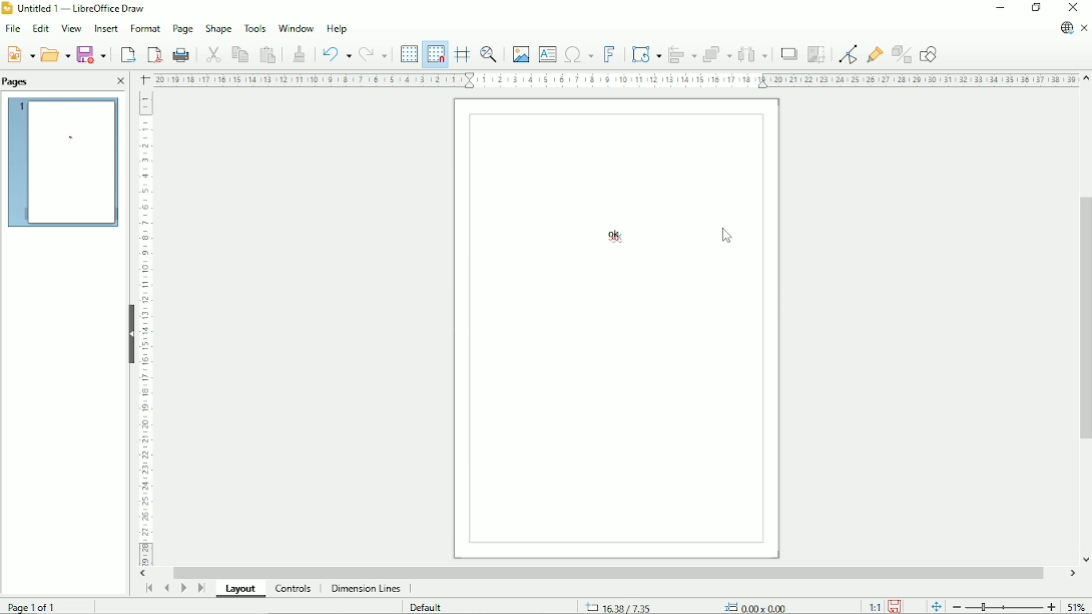 This screenshot has width=1092, height=614. Describe the element at coordinates (148, 588) in the screenshot. I see `Scroll to first page` at that location.